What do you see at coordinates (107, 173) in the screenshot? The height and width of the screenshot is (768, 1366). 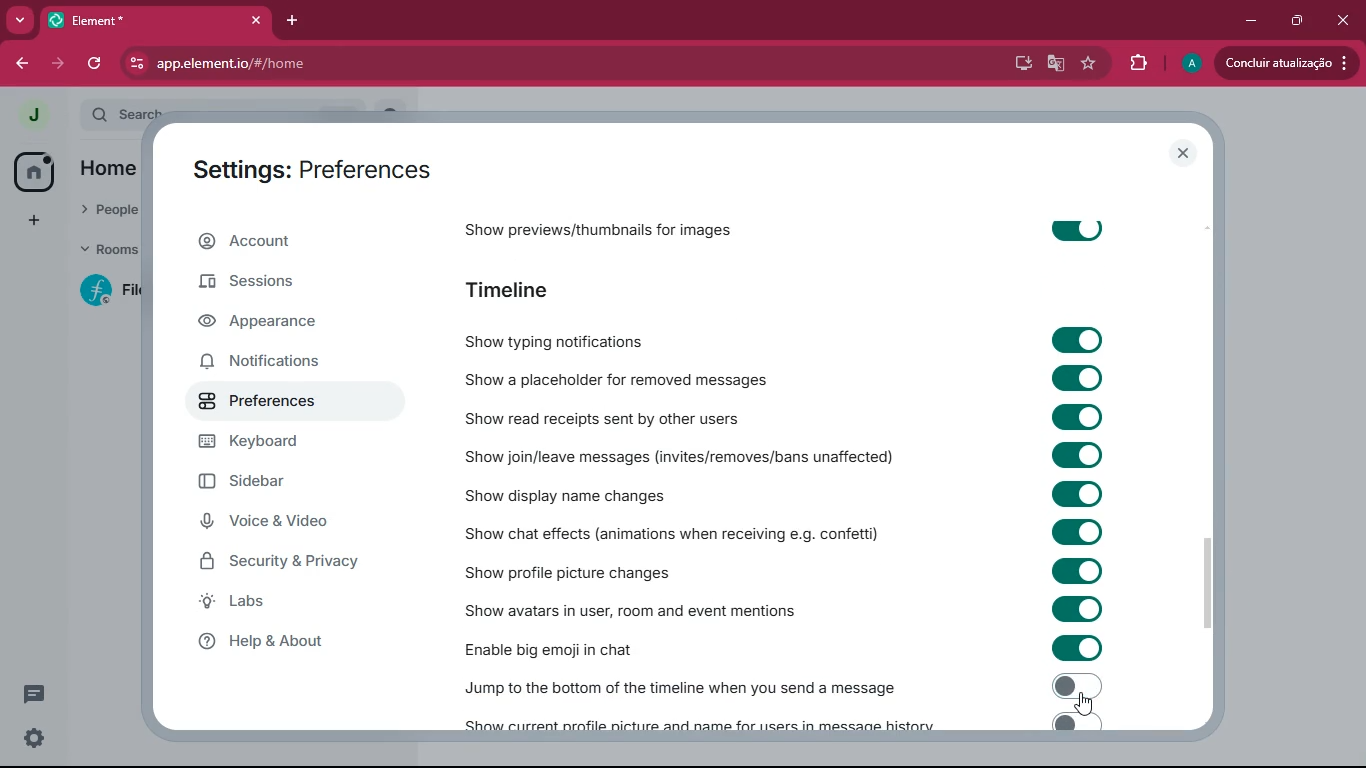 I see `home` at bounding box center [107, 173].